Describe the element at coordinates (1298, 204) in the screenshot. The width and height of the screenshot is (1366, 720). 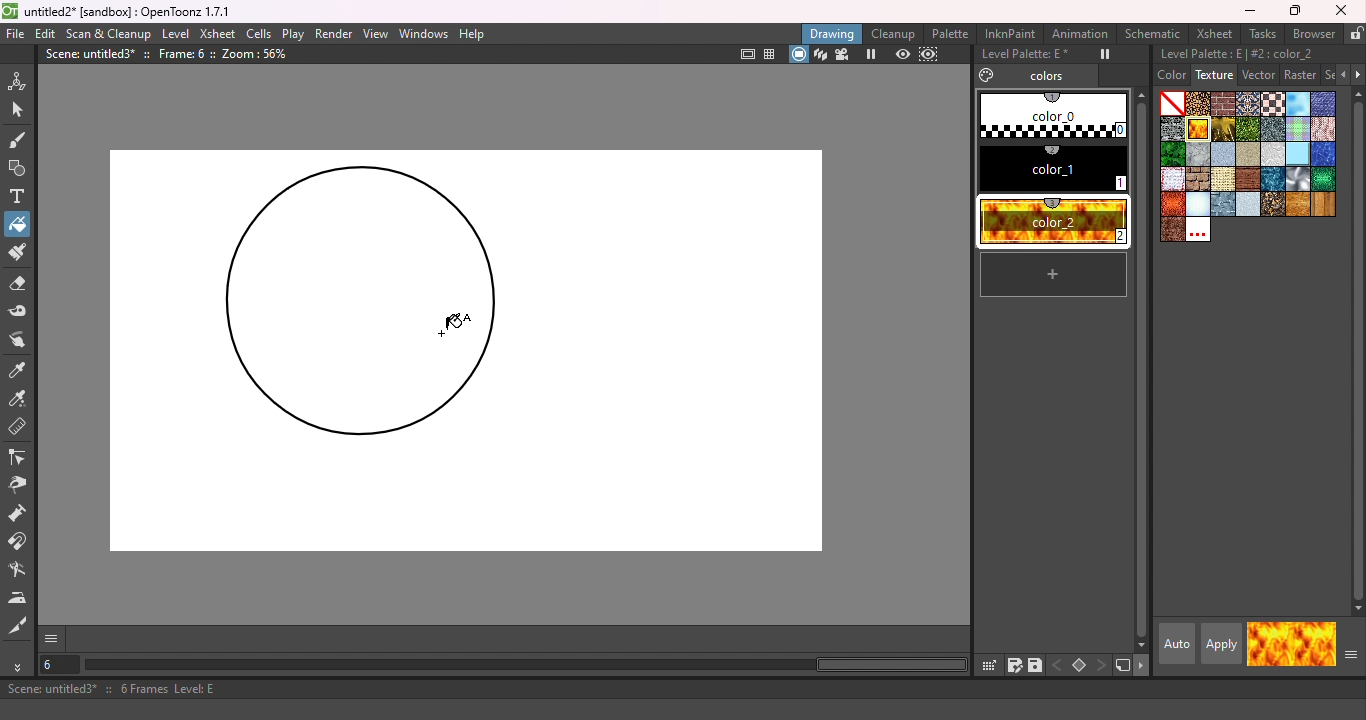
I see `woodgran.bmp` at that location.